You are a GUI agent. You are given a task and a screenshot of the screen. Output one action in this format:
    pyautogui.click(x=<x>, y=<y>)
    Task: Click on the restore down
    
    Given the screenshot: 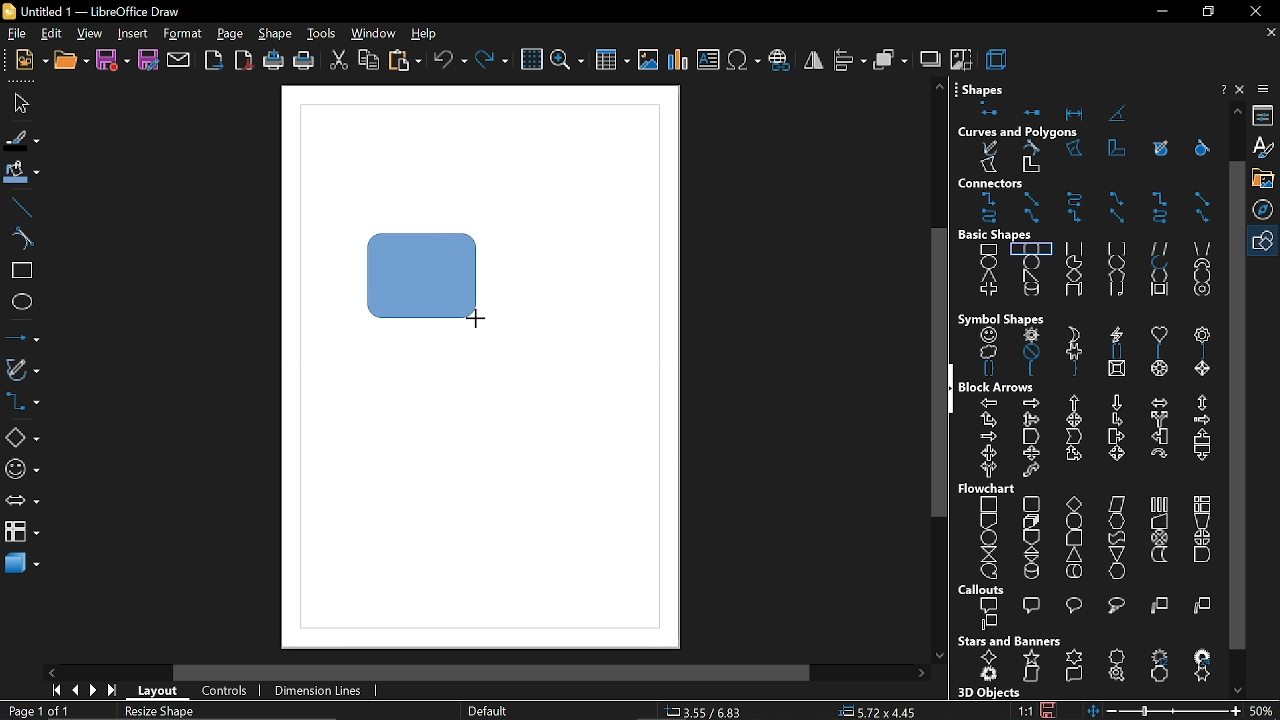 What is the action you would take?
    pyautogui.click(x=1206, y=12)
    